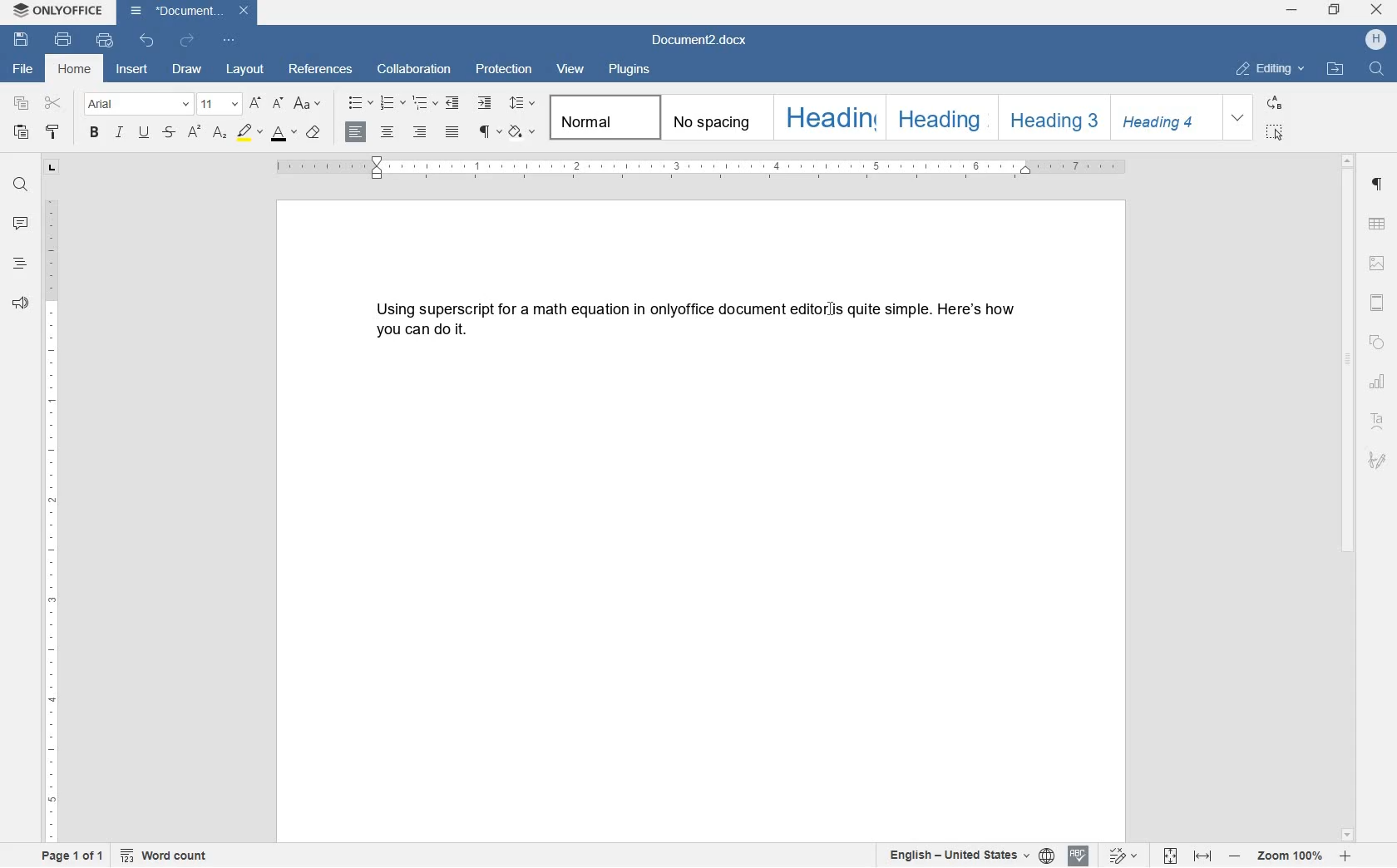 This screenshot has width=1397, height=868. Describe the element at coordinates (254, 104) in the screenshot. I see `increment font size` at that location.